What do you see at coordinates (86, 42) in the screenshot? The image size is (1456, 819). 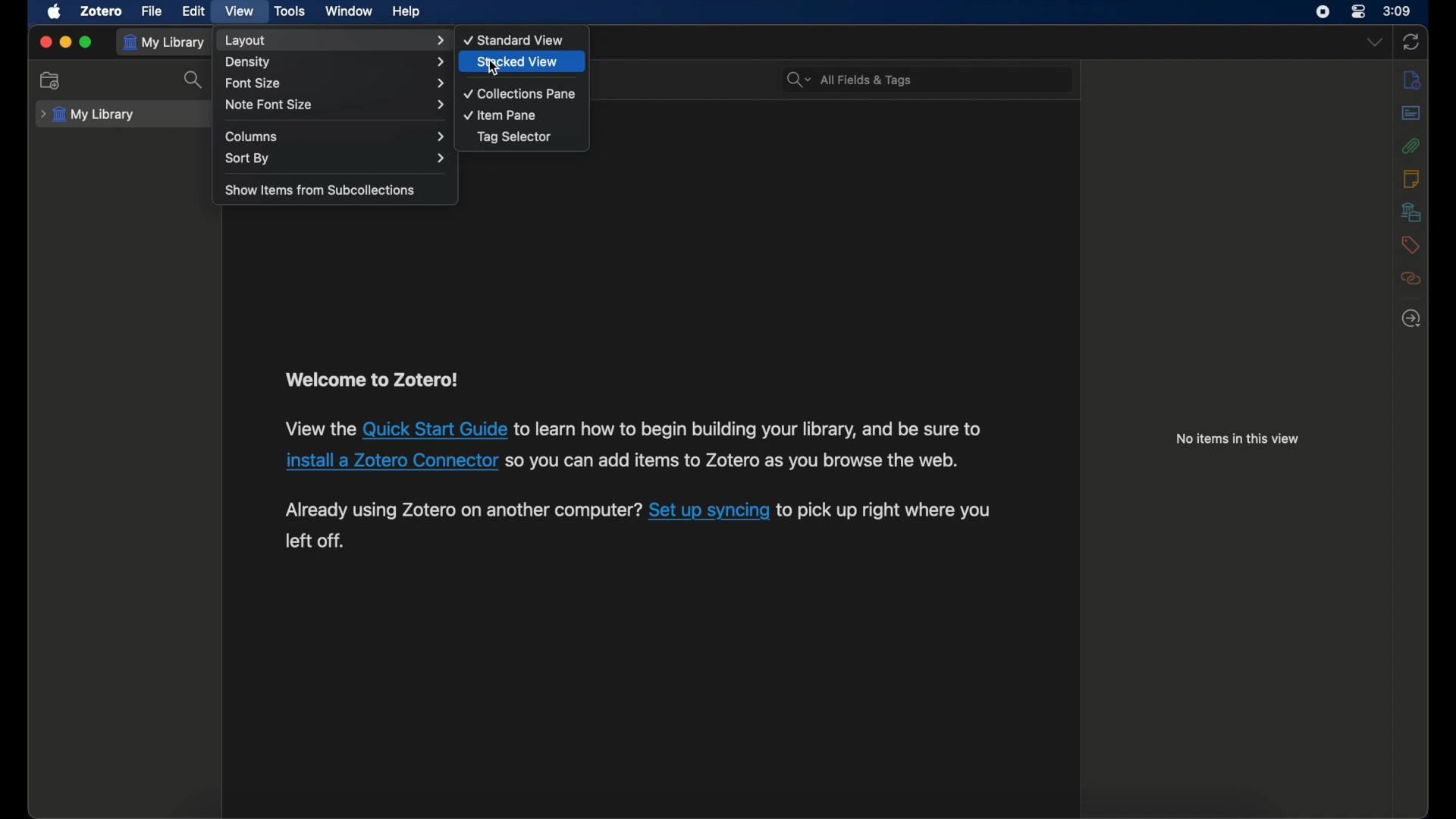 I see `maximize` at bounding box center [86, 42].